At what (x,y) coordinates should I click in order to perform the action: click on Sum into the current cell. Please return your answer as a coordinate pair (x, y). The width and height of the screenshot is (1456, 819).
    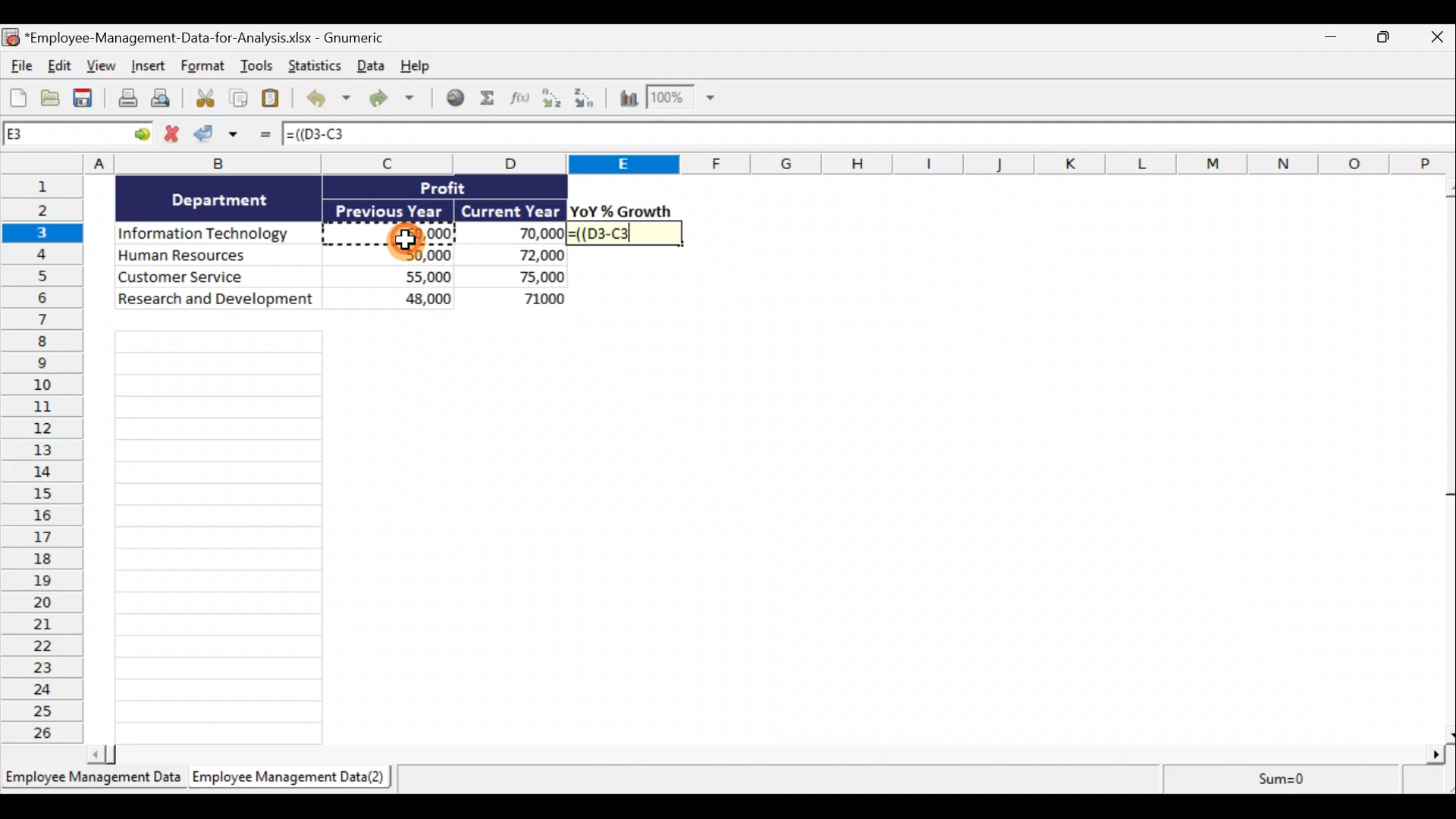
    Looking at the image, I should click on (491, 99).